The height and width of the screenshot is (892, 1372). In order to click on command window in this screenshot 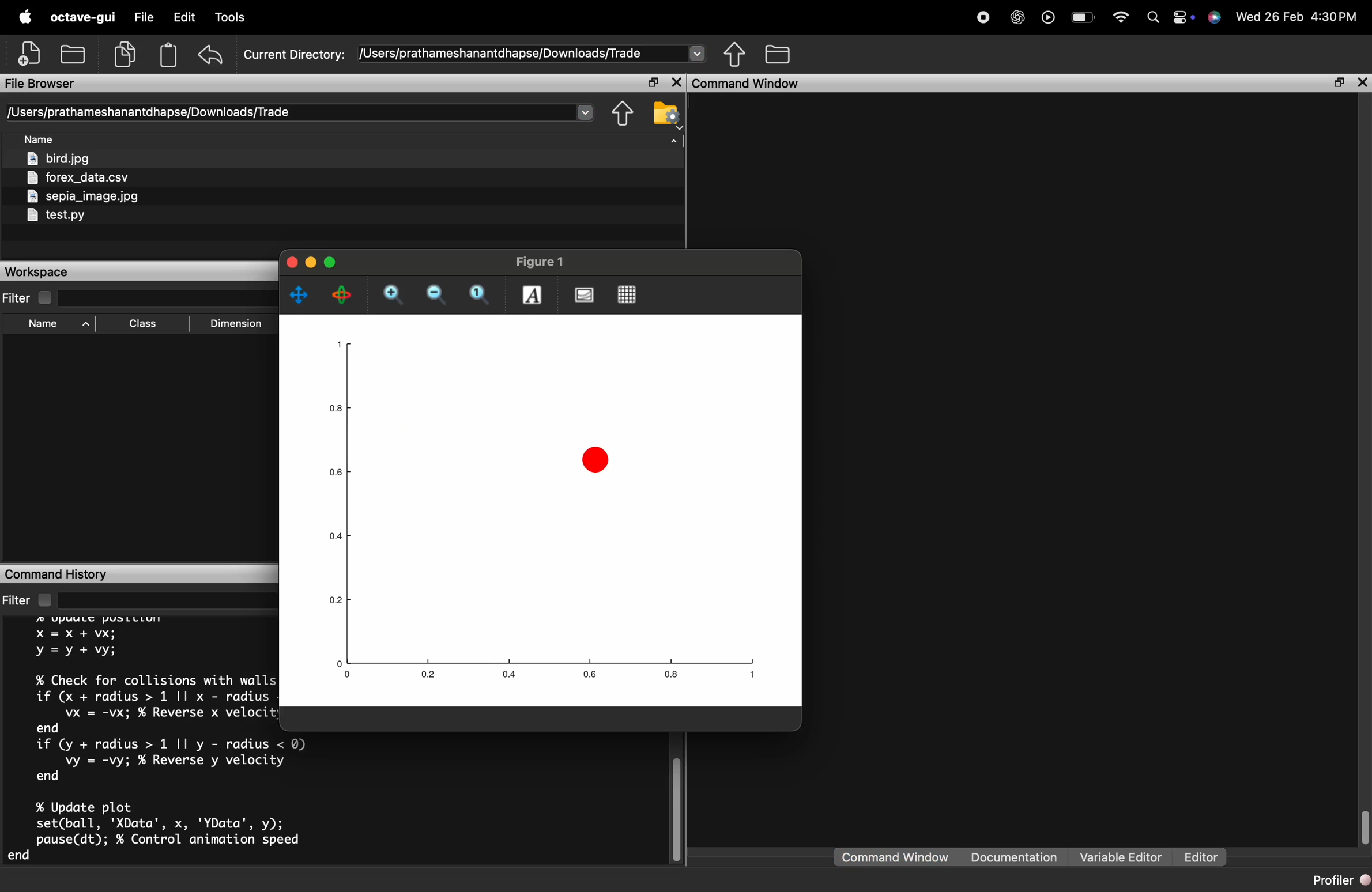, I will do `click(748, 82)`.